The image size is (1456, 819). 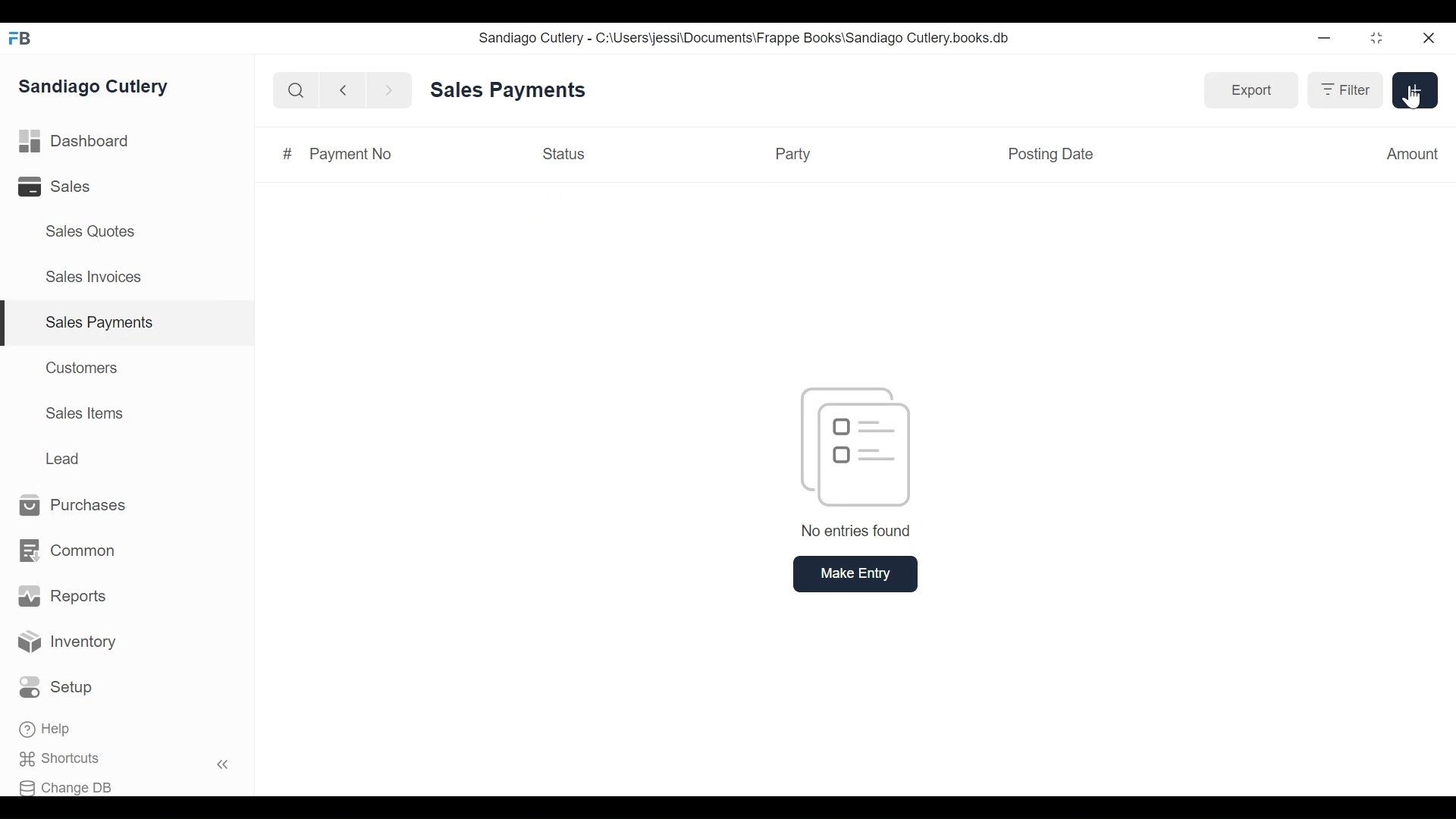 I want to click on Sandiago Cutlery - C:\Users\jessi\Documents\Frappe Books\Sandiago Cutlery.books.db, so click(x=744, y=37).